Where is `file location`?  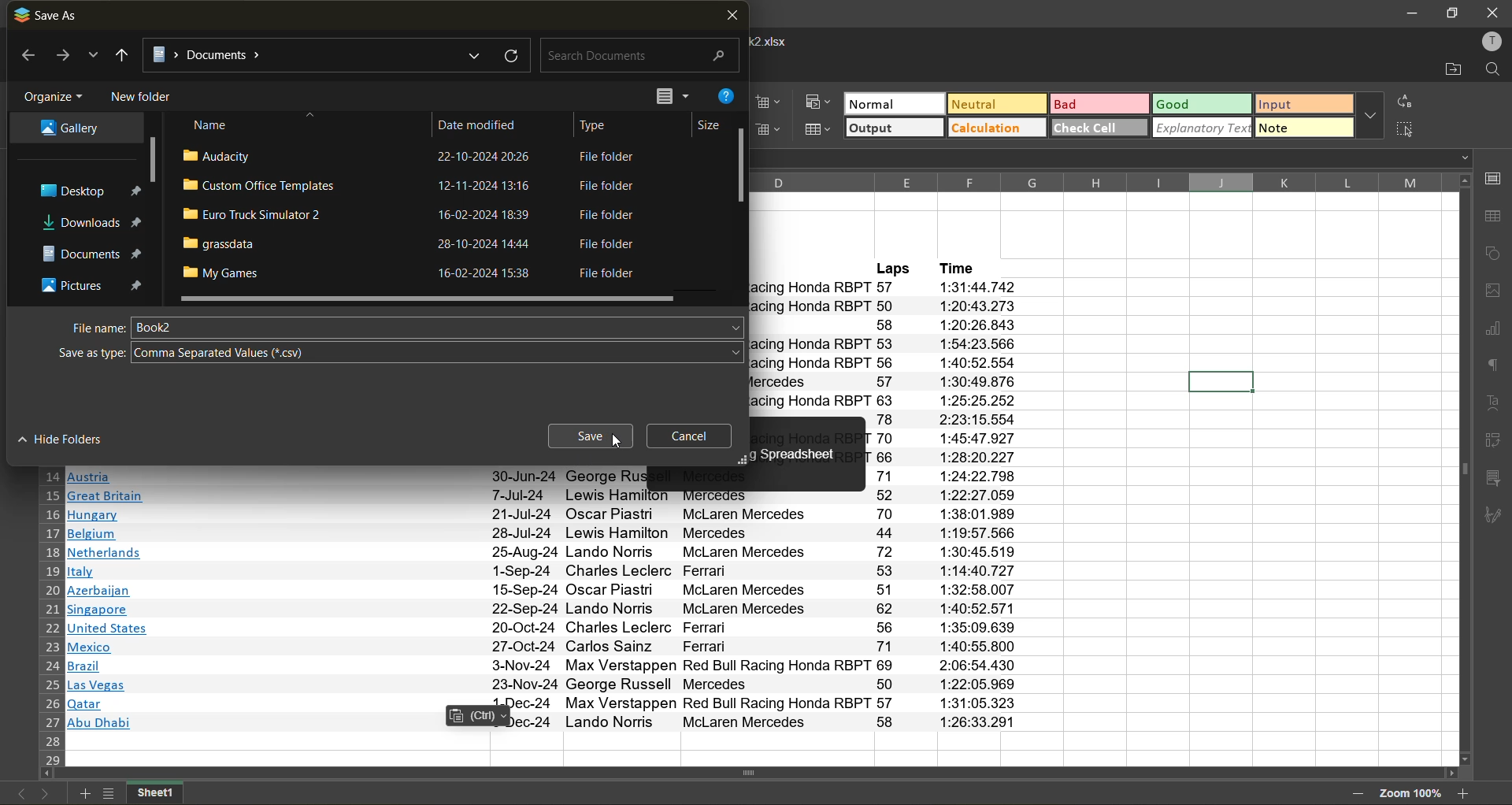
file location is located at coordinates (315, 53).